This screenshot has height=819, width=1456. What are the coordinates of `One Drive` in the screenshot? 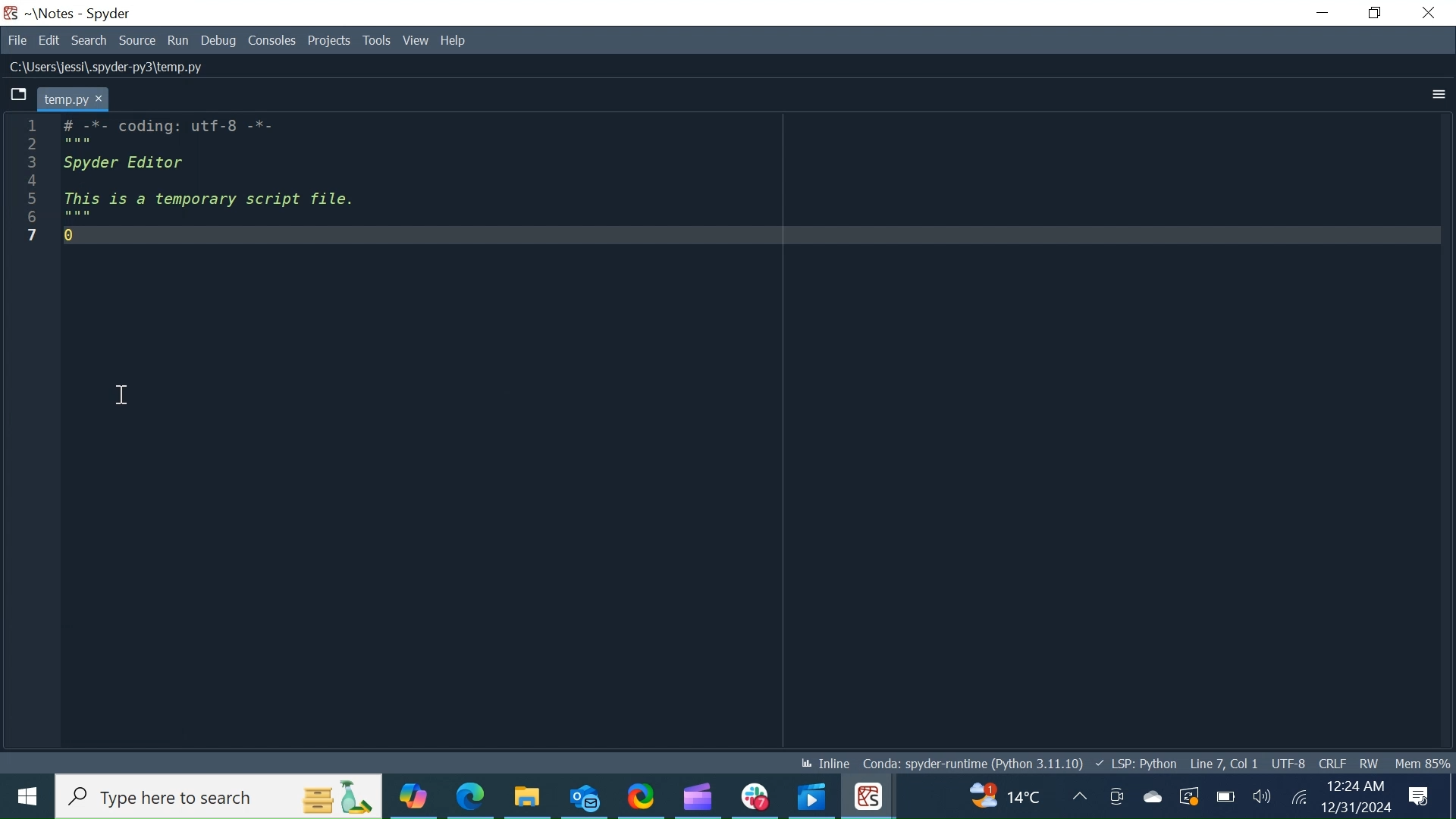 It's located at (1153, 795).